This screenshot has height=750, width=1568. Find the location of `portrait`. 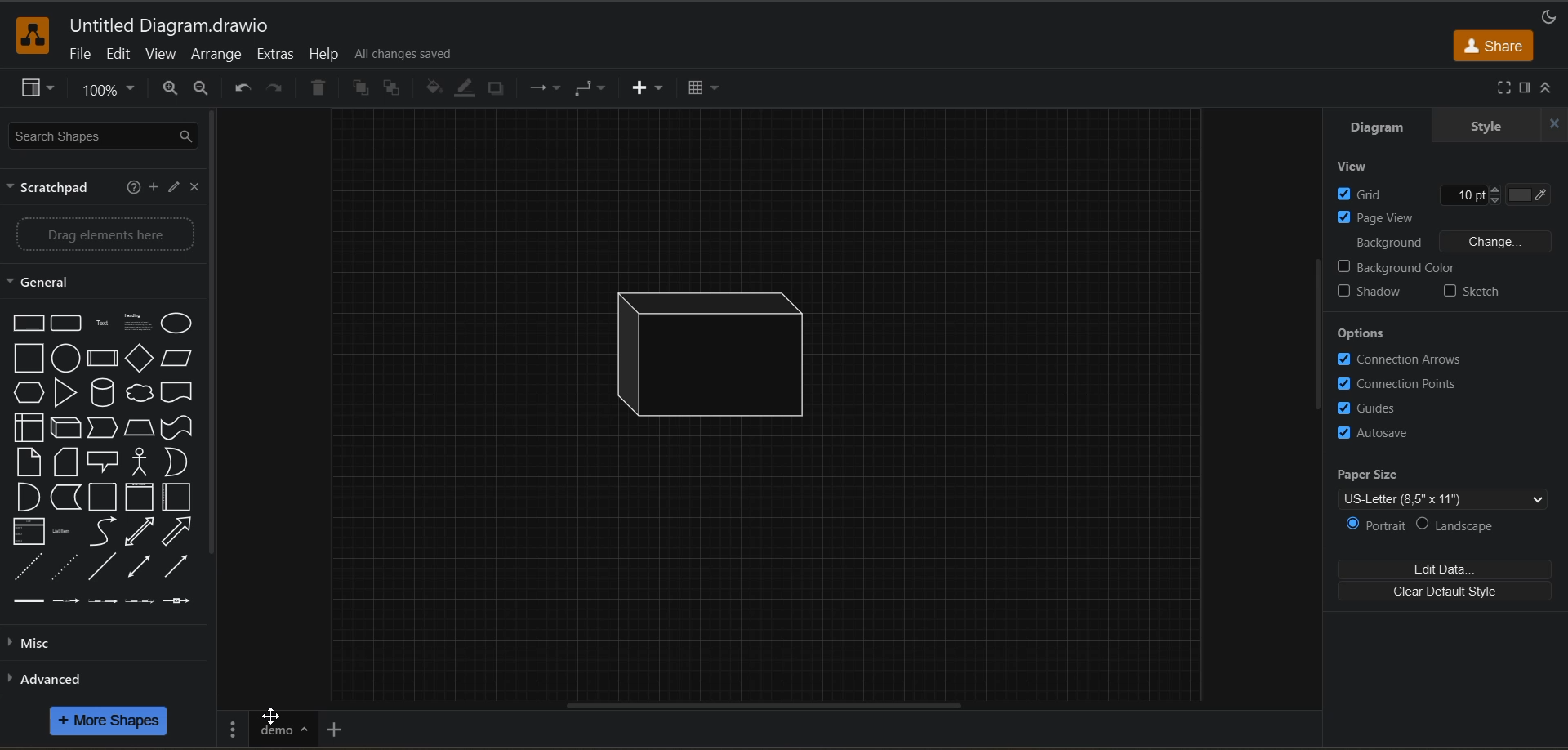

portrait is located at coordinates (1379, 527).